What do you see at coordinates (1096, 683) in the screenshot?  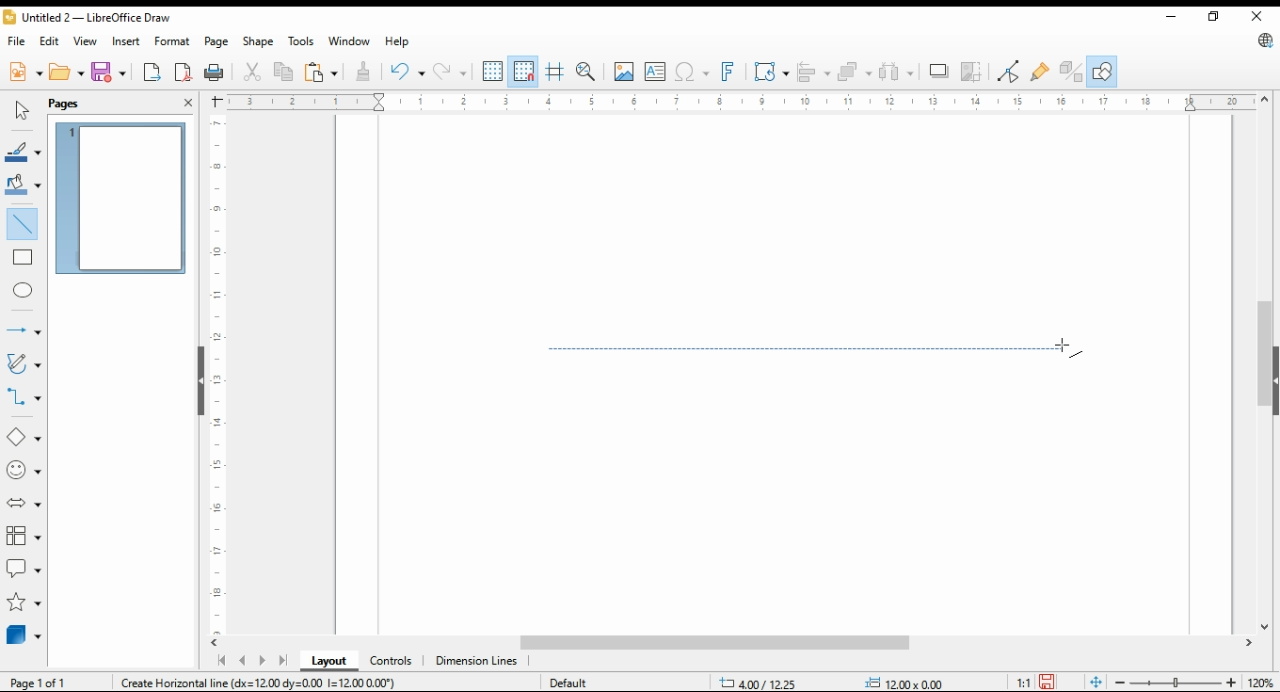 I see `fit page to window` at bounding box center [1096, 683].